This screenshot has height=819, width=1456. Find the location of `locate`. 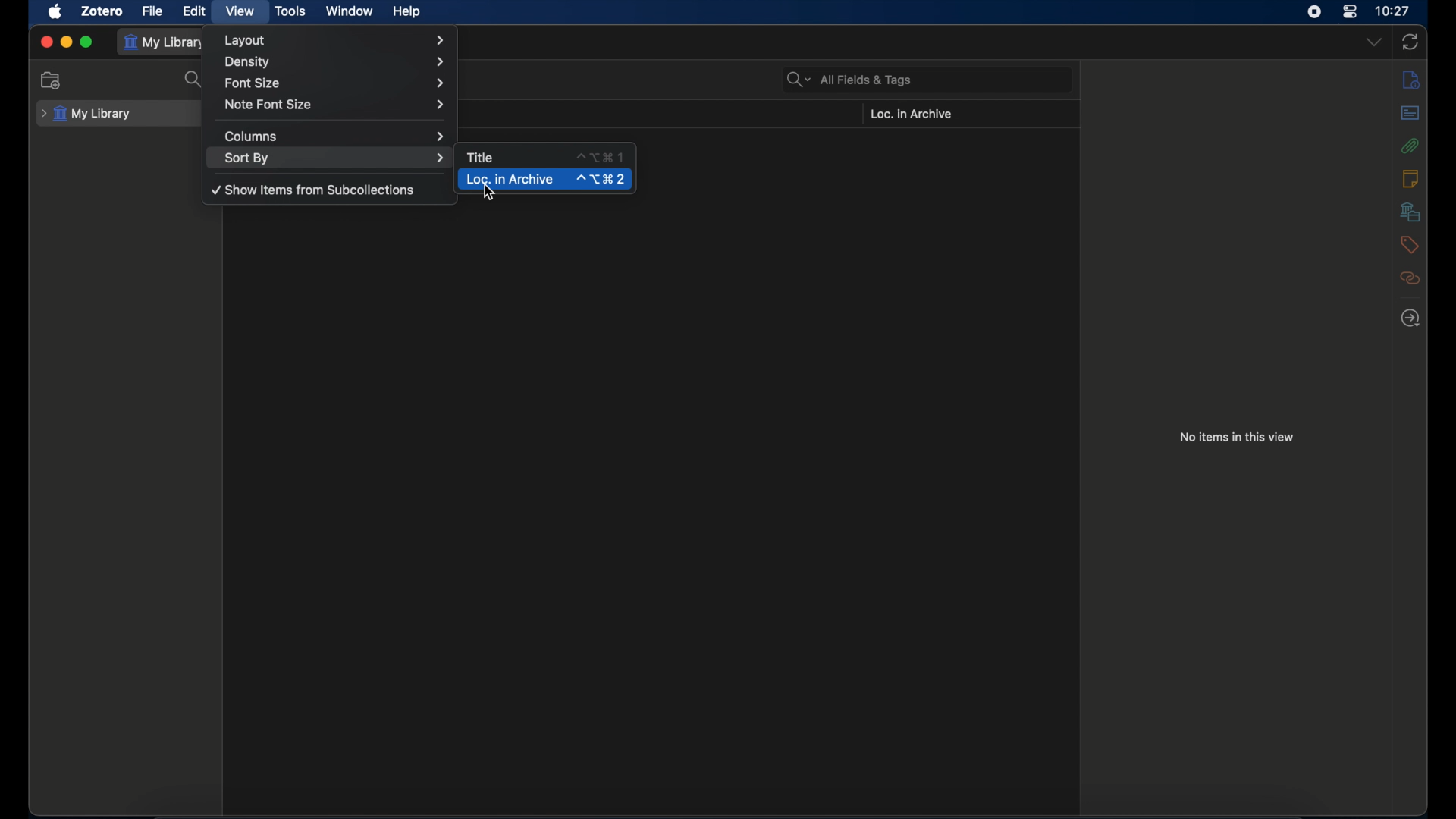

locate is located at coordinates (1410, 319).